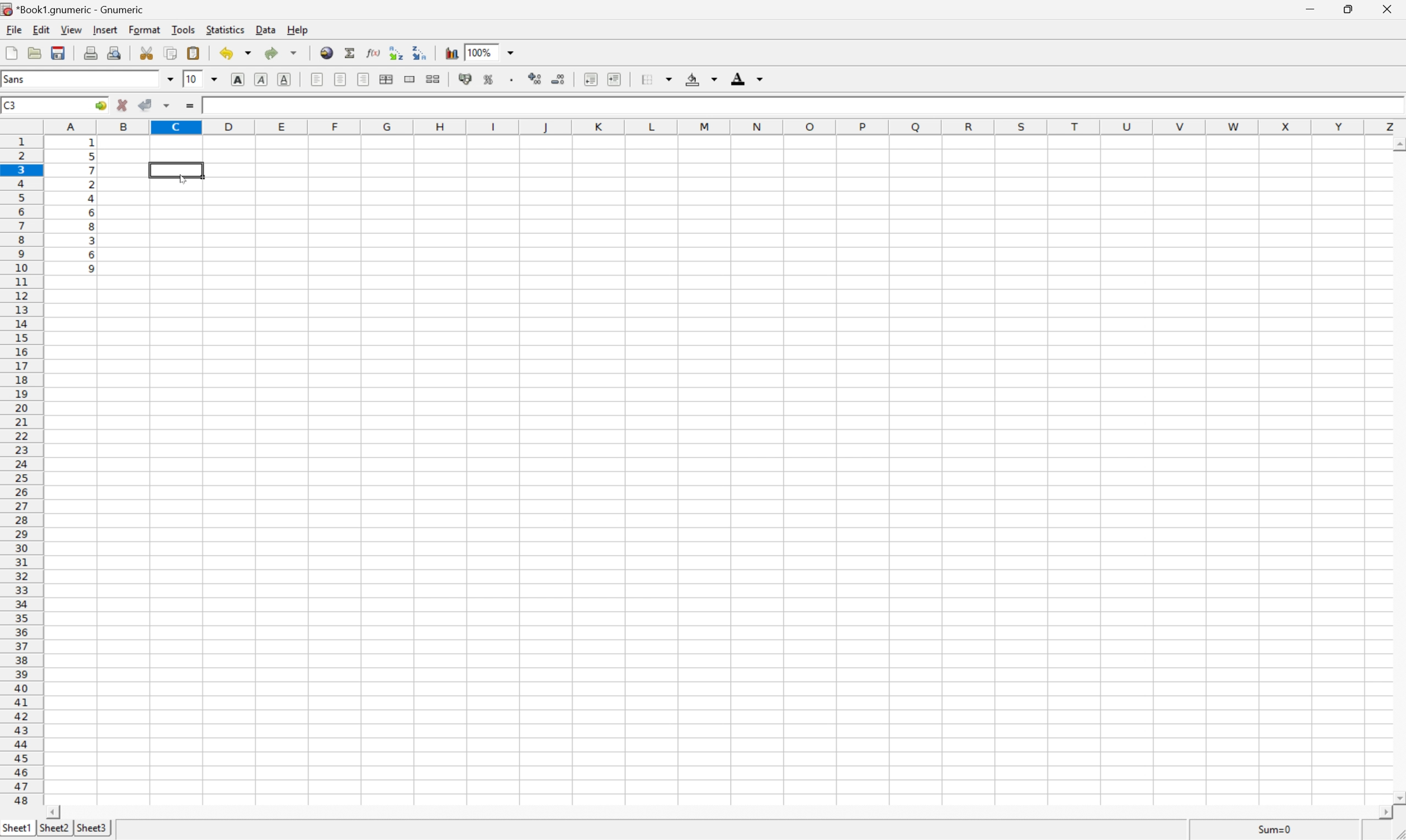 The width and height of the screenshot is (1406, 840). Describe the element at coordinates (215, 79) in the screenshot. I see `drop down` at that location.